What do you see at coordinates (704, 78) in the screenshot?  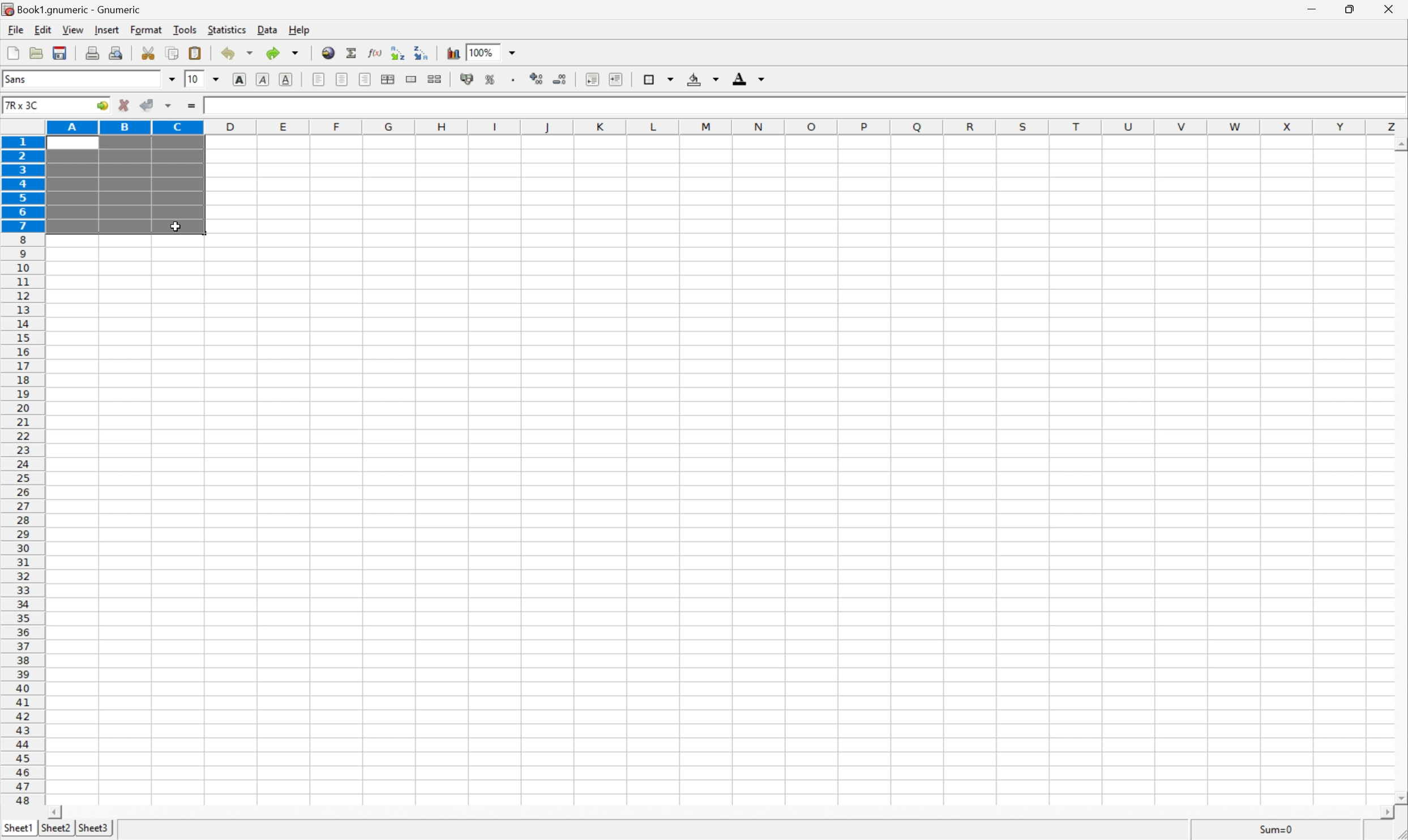 I see `background color` at bounding box center [704, 78].